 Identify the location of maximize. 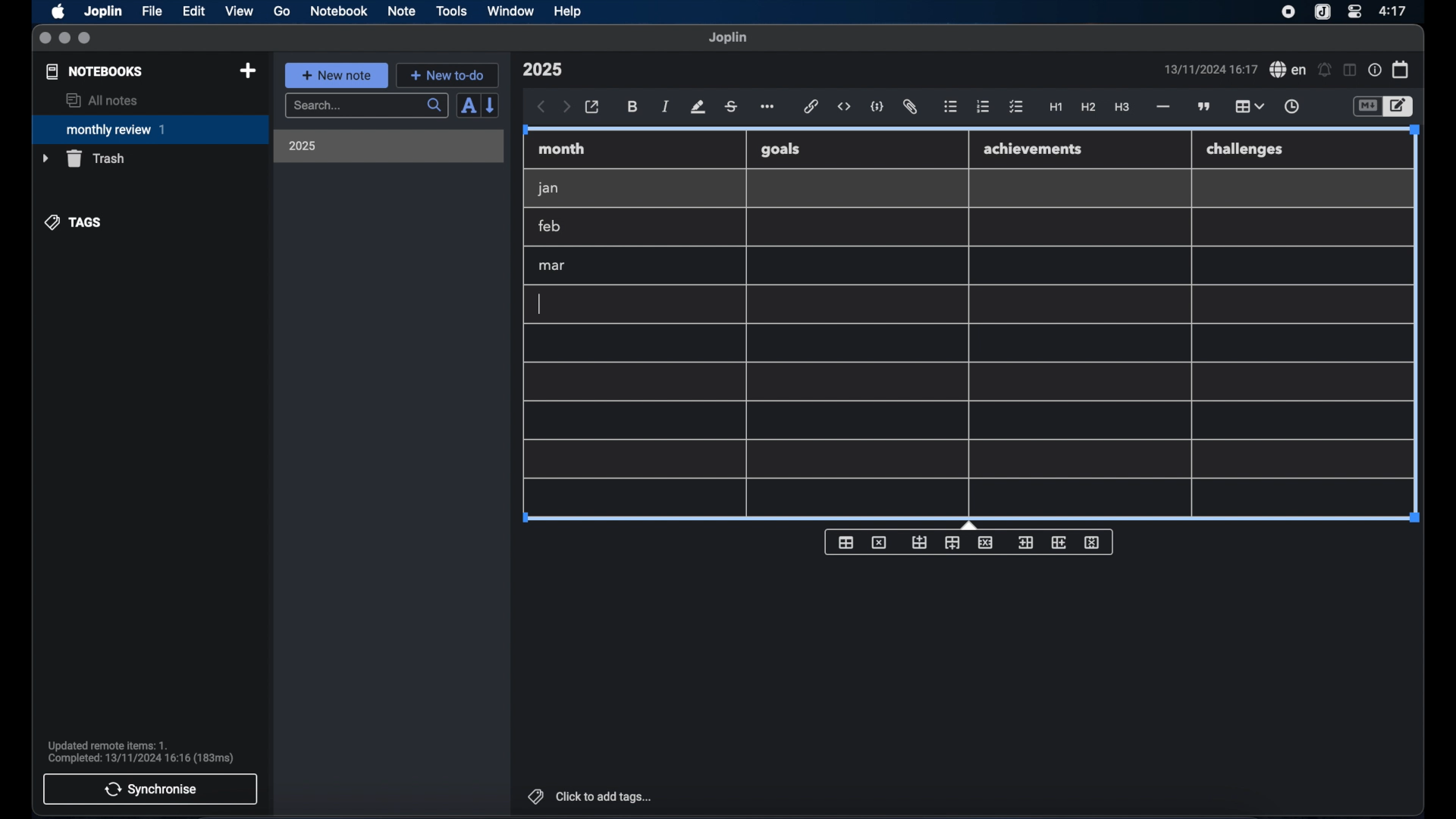
(86, 39).